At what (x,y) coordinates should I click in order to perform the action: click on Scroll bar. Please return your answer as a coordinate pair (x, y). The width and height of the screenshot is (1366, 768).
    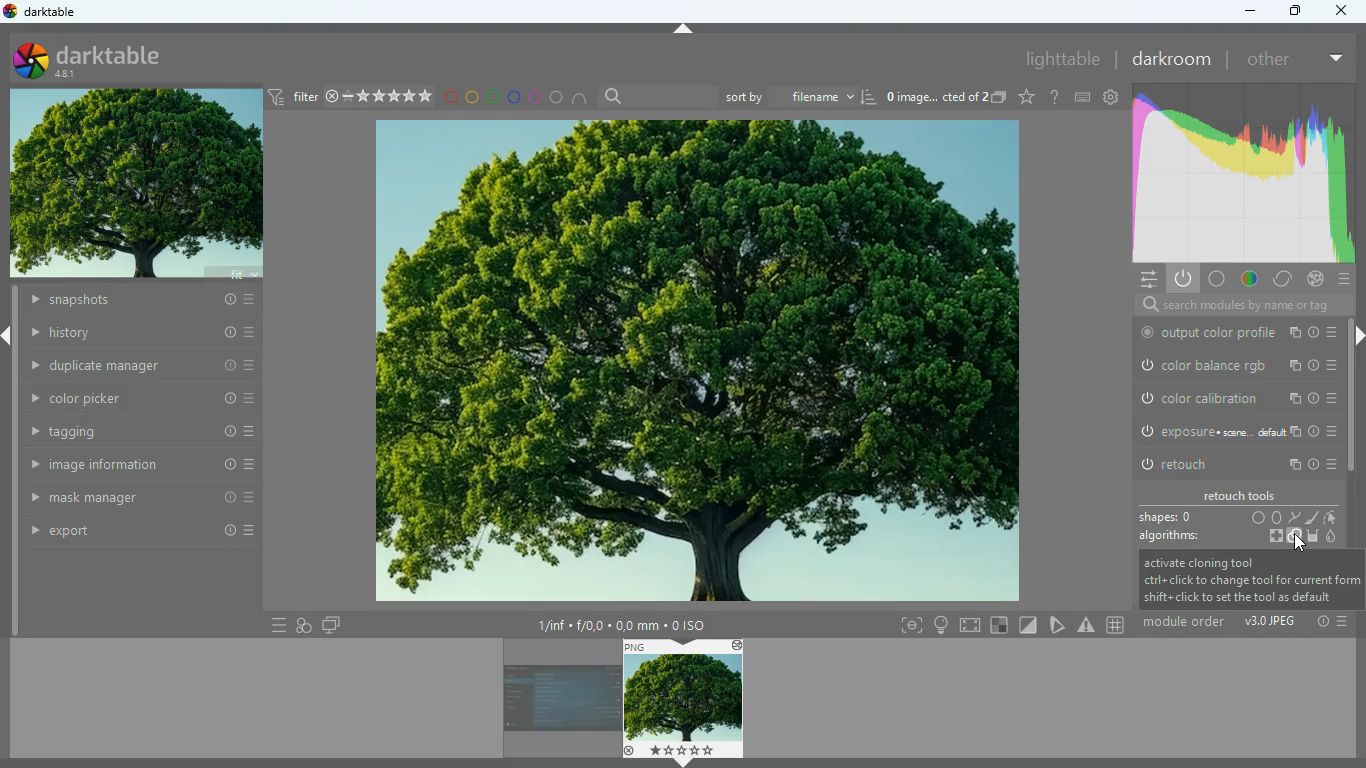
    Looking at the image, I should click on (13, 464).